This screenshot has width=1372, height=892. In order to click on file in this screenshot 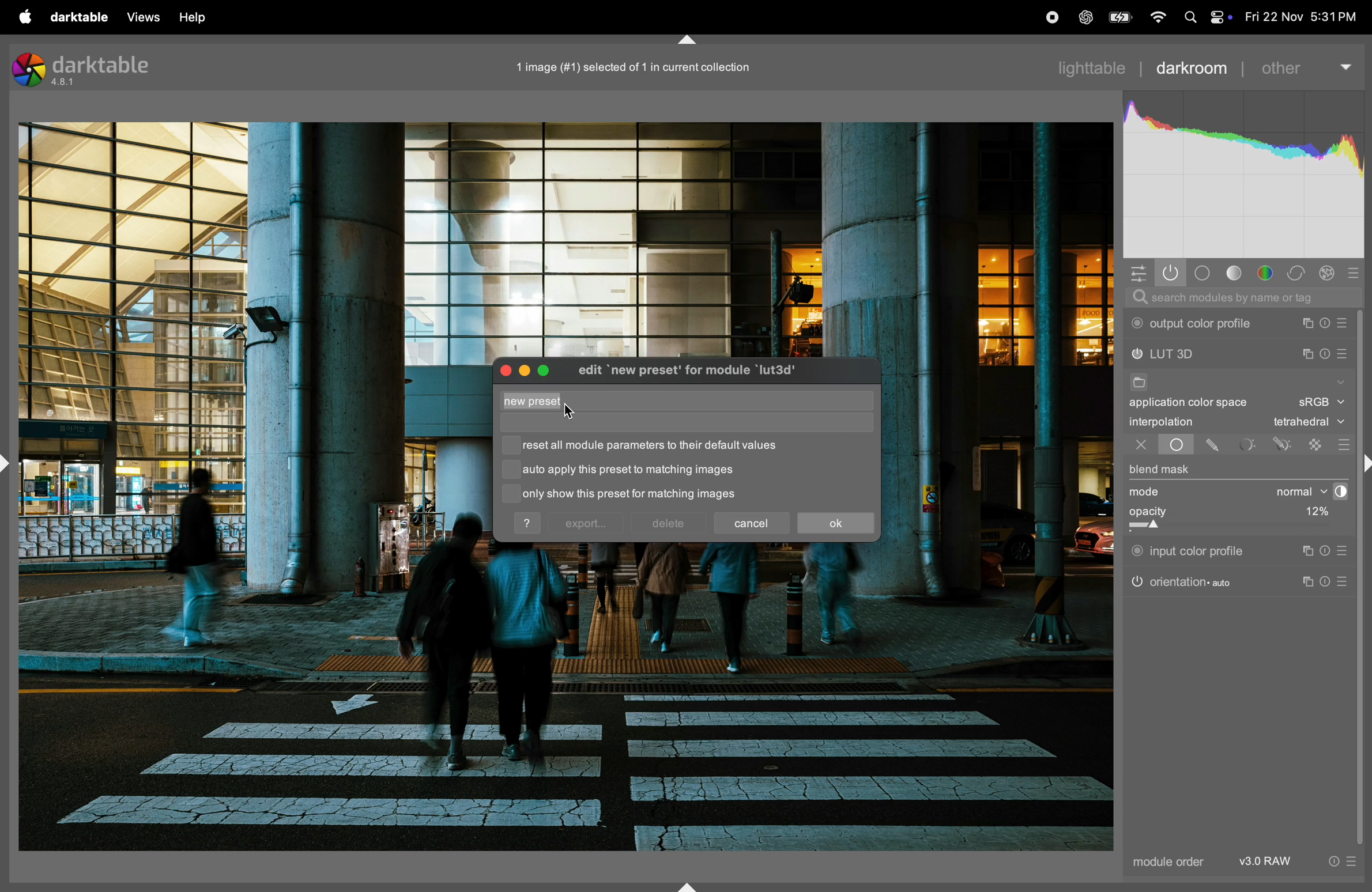, I will do `click(1137, 384)`.